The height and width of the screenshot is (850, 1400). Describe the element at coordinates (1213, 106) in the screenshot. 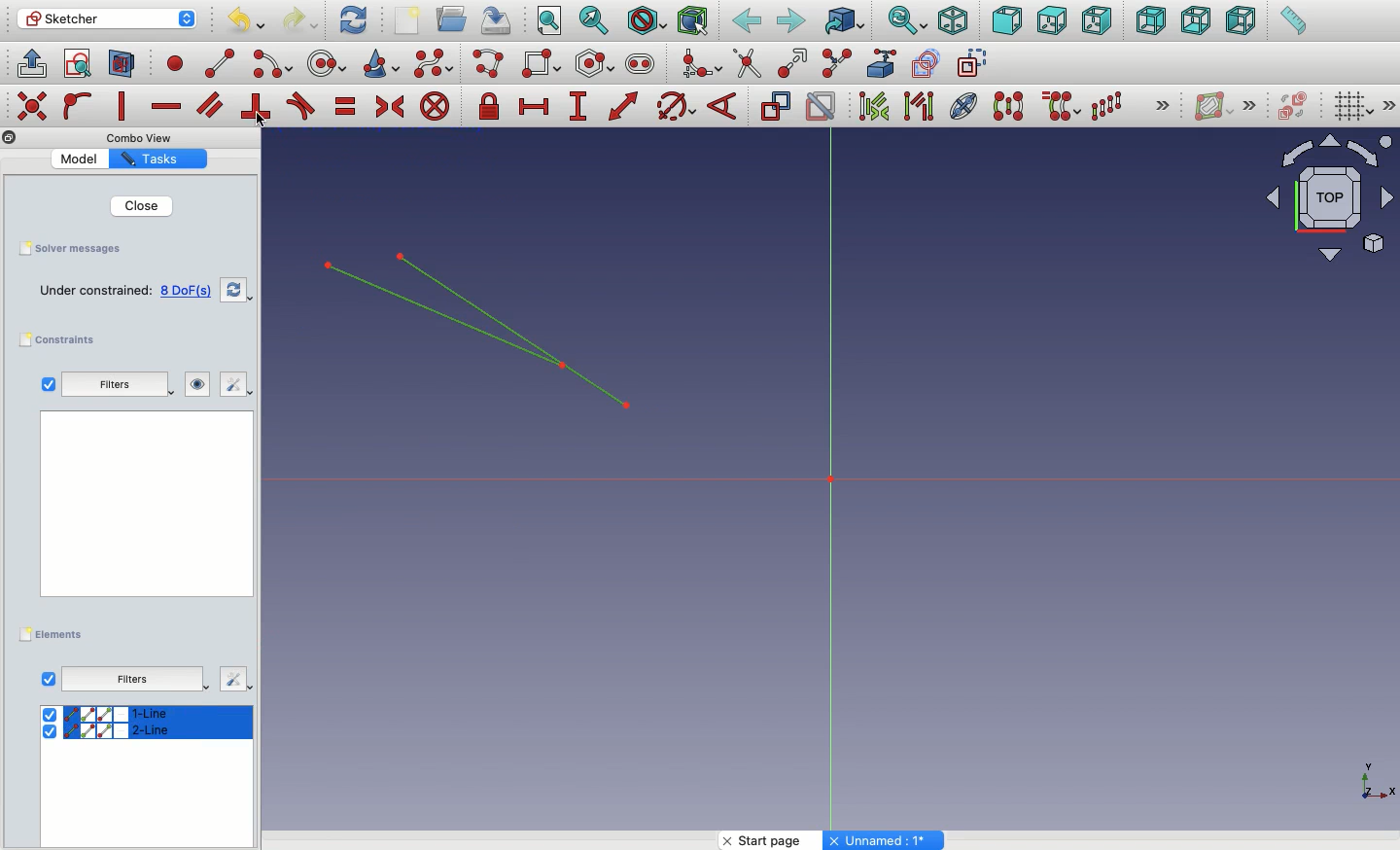

I see `Show/hide B-spline information layer` at that location.